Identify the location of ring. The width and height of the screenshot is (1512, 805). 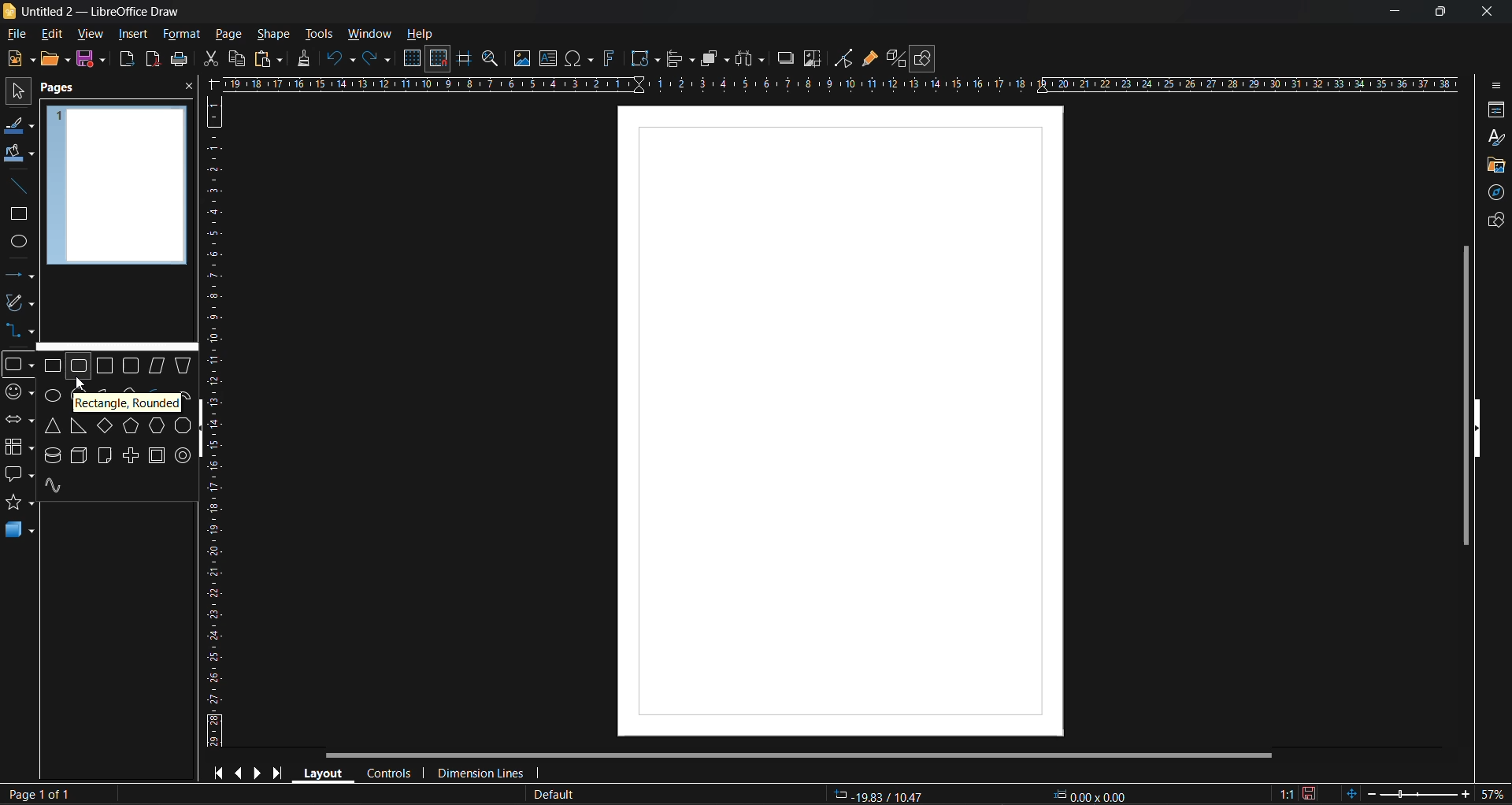
(181, 456).